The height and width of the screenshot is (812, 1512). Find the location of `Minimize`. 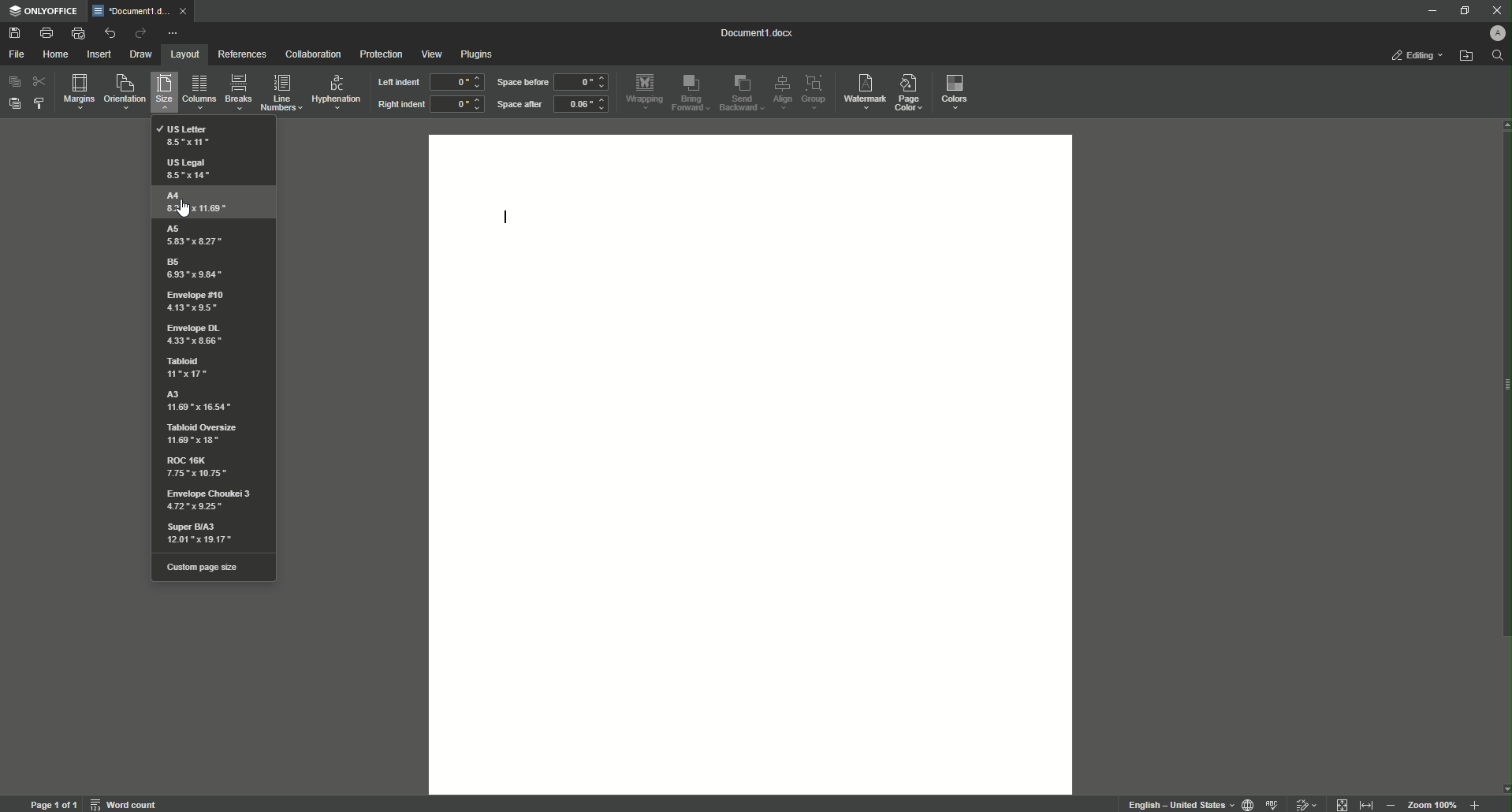

Minimize is located at coordinates (1429, 12).